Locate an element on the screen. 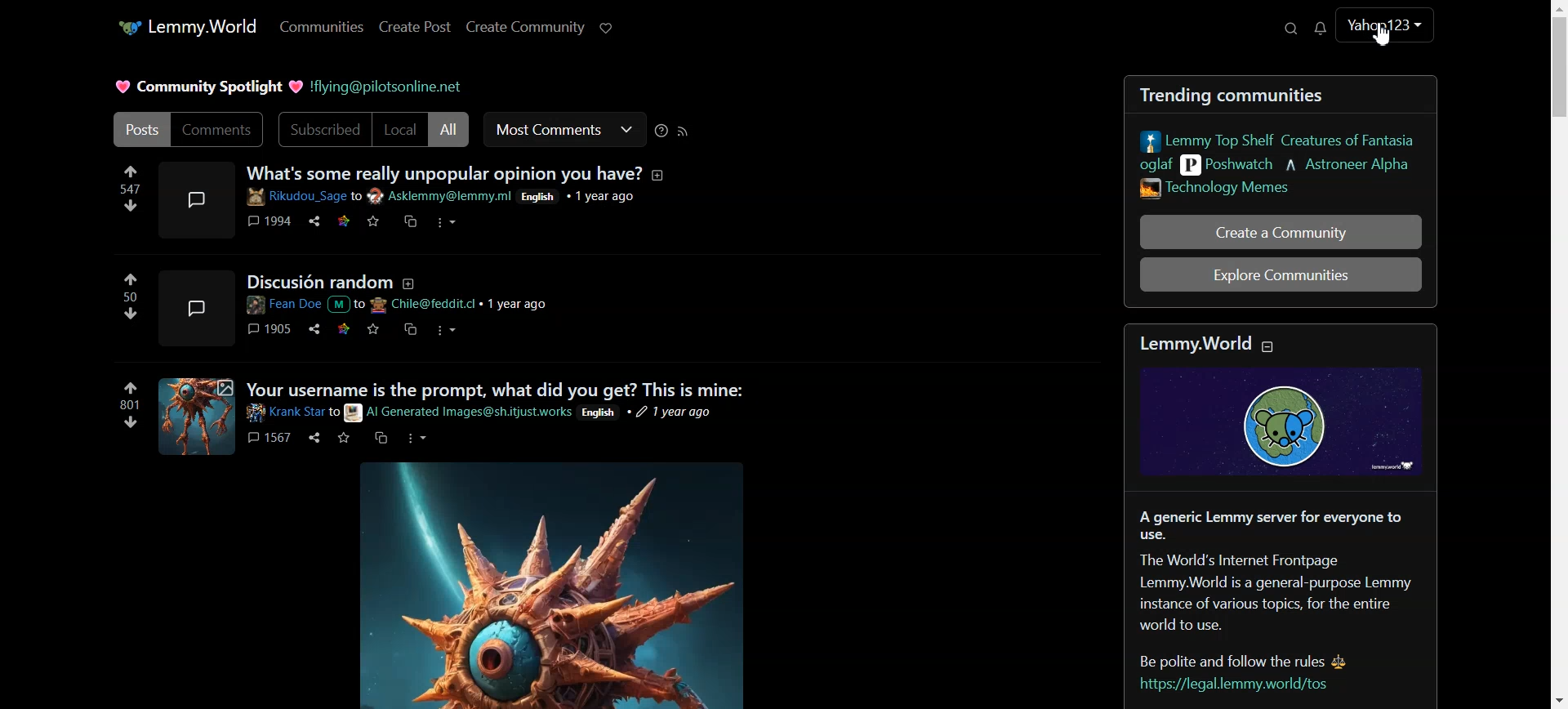  Your username is this prompt is located at coordinates (446, 418).